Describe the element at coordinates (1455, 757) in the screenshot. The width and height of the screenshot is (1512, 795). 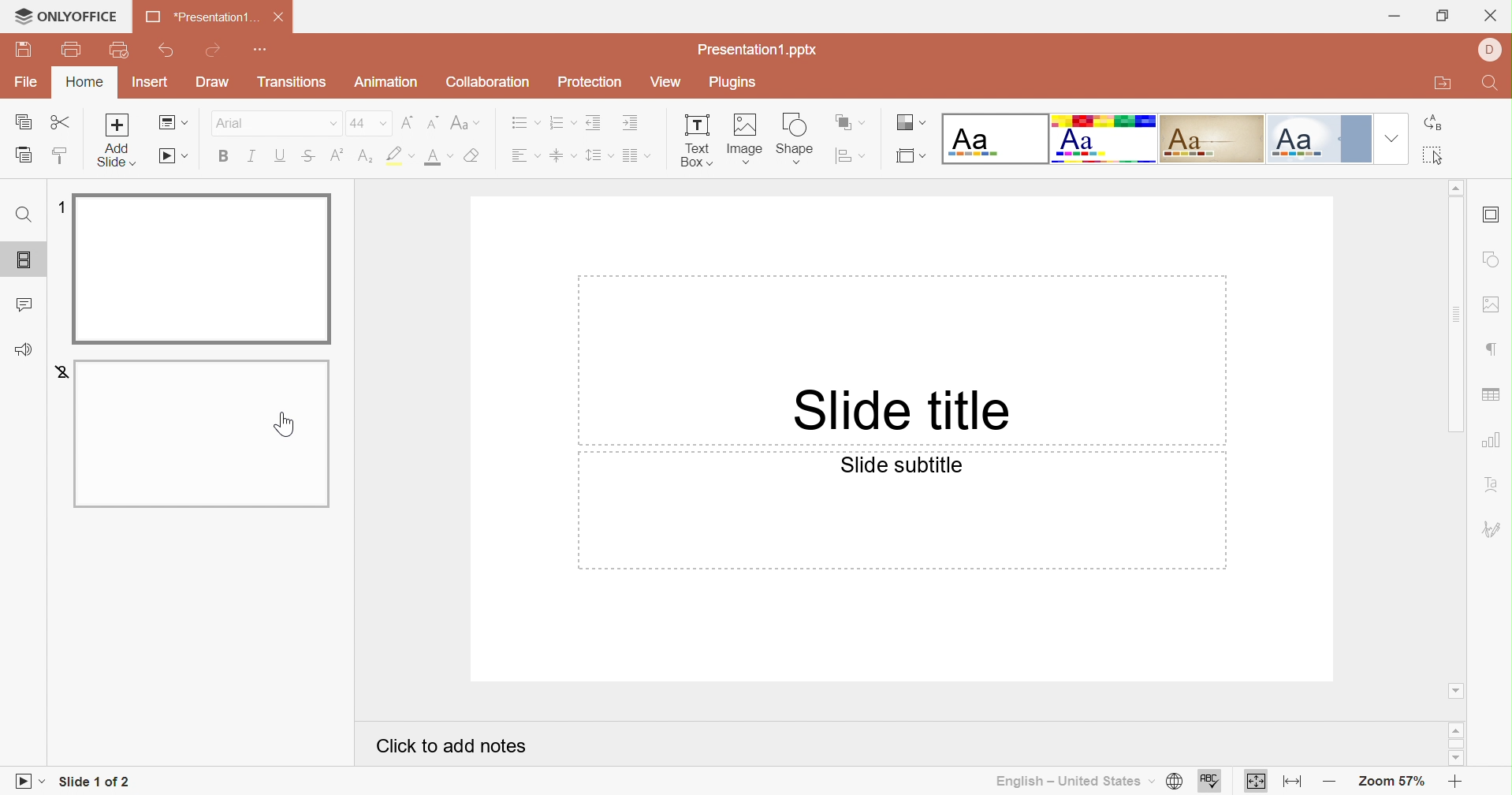
I see `Scroll down` at that location.